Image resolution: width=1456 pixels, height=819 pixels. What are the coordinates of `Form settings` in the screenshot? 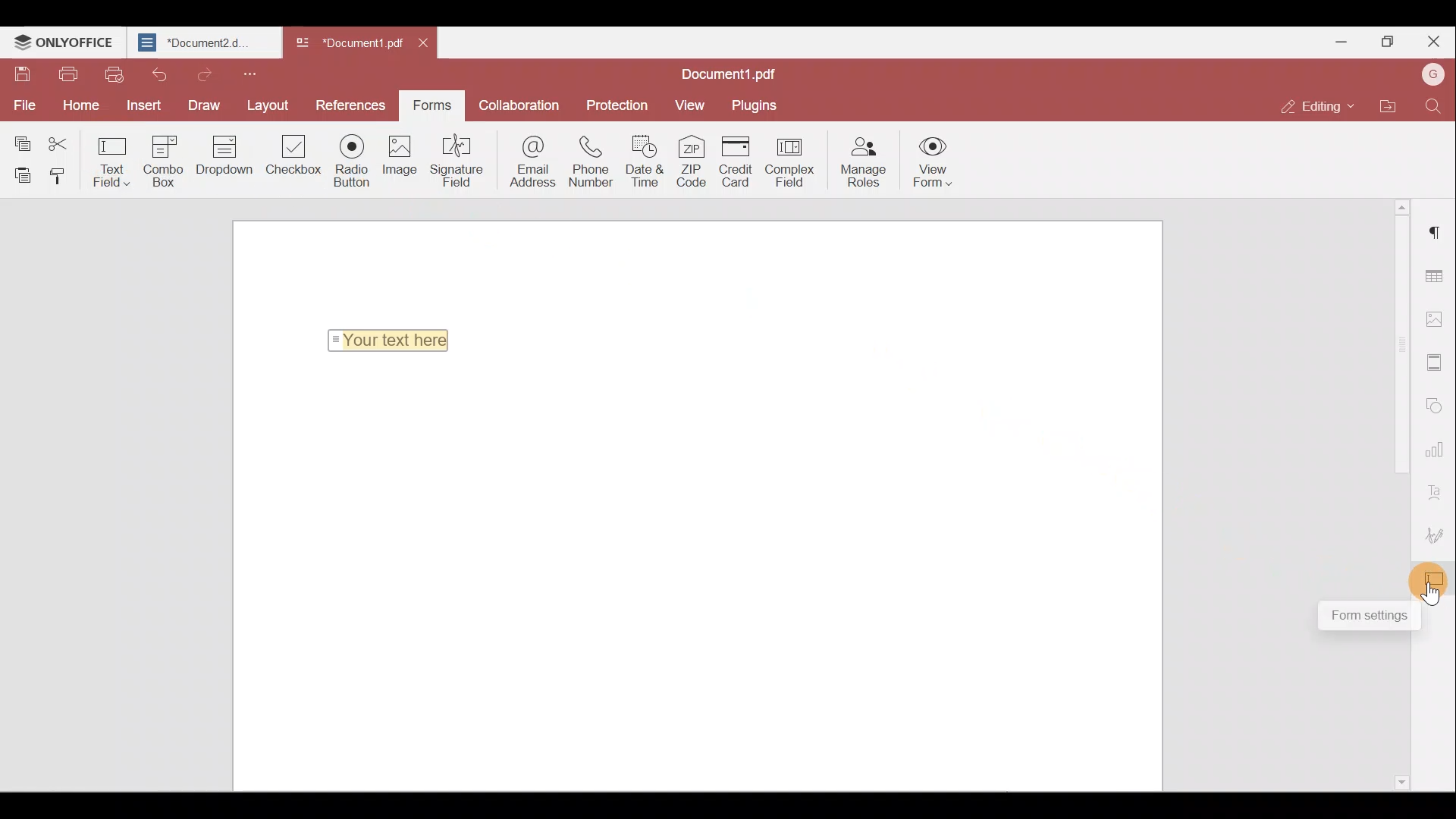 It's located at (1367, 617).